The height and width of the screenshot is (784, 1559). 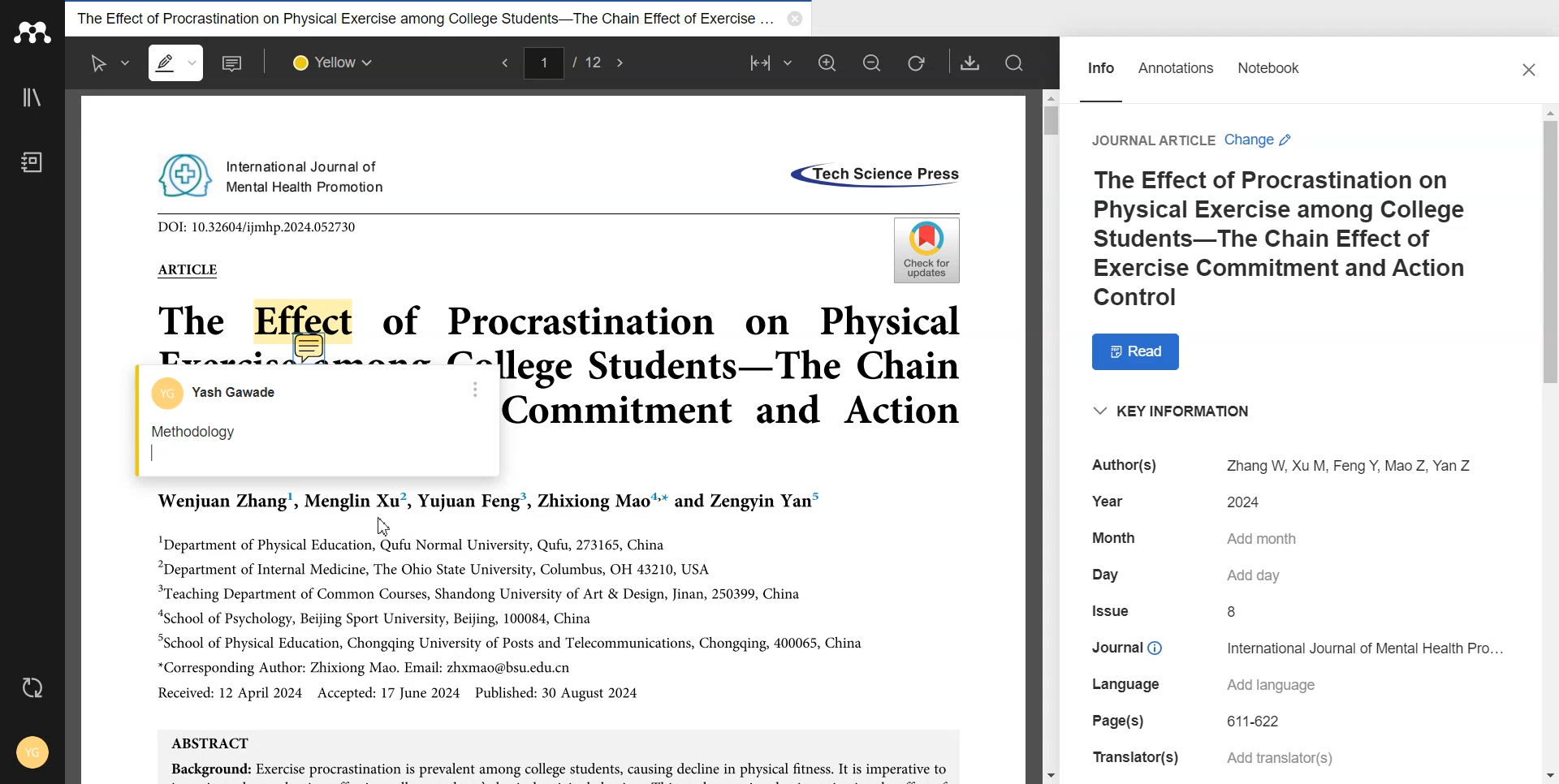 I want to click on Day Add day, so click(x=1187, y=575).